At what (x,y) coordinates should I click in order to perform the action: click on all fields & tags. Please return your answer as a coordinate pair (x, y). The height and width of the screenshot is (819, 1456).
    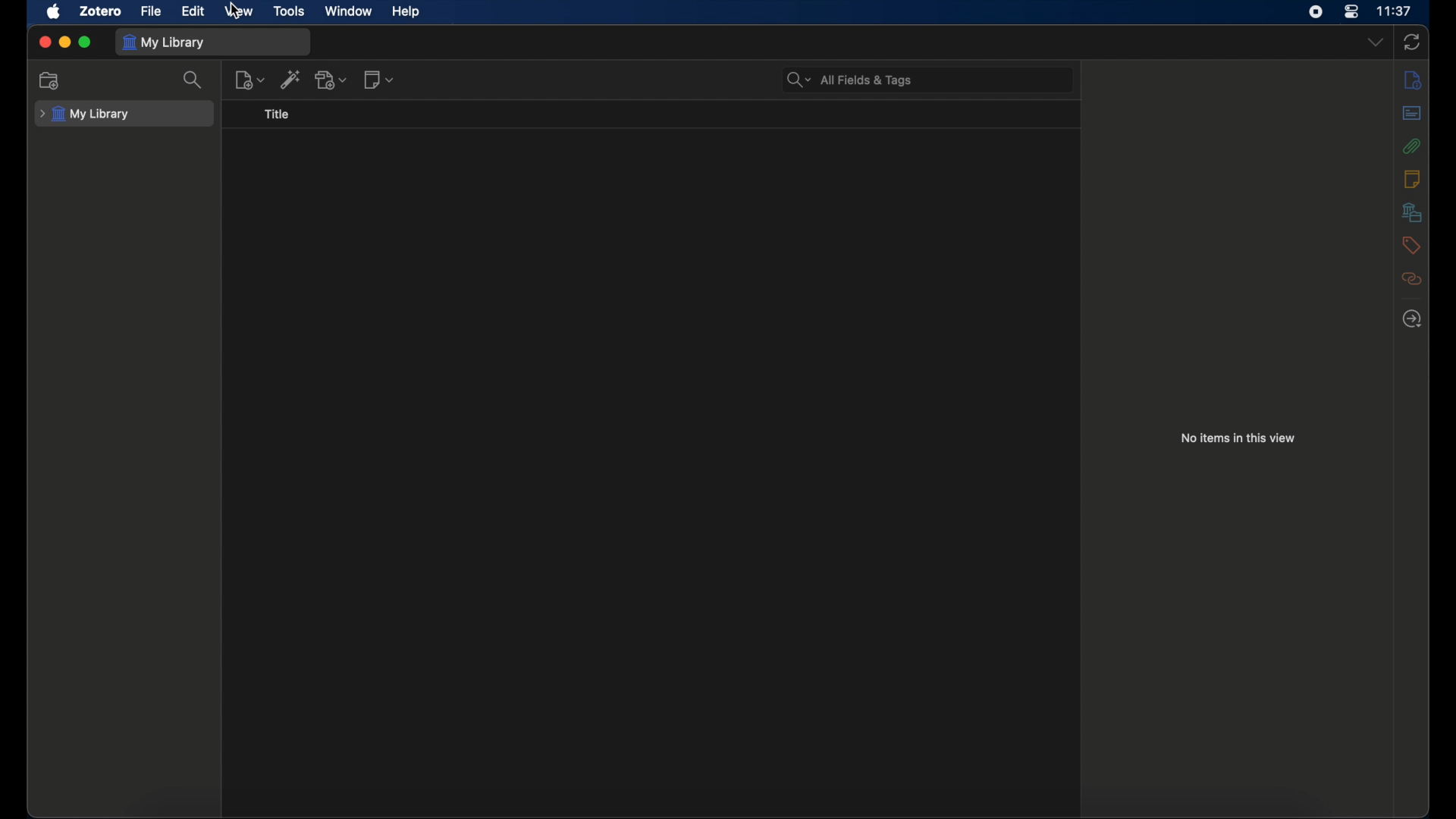
    Looking at the image, I should click on (850, 79).